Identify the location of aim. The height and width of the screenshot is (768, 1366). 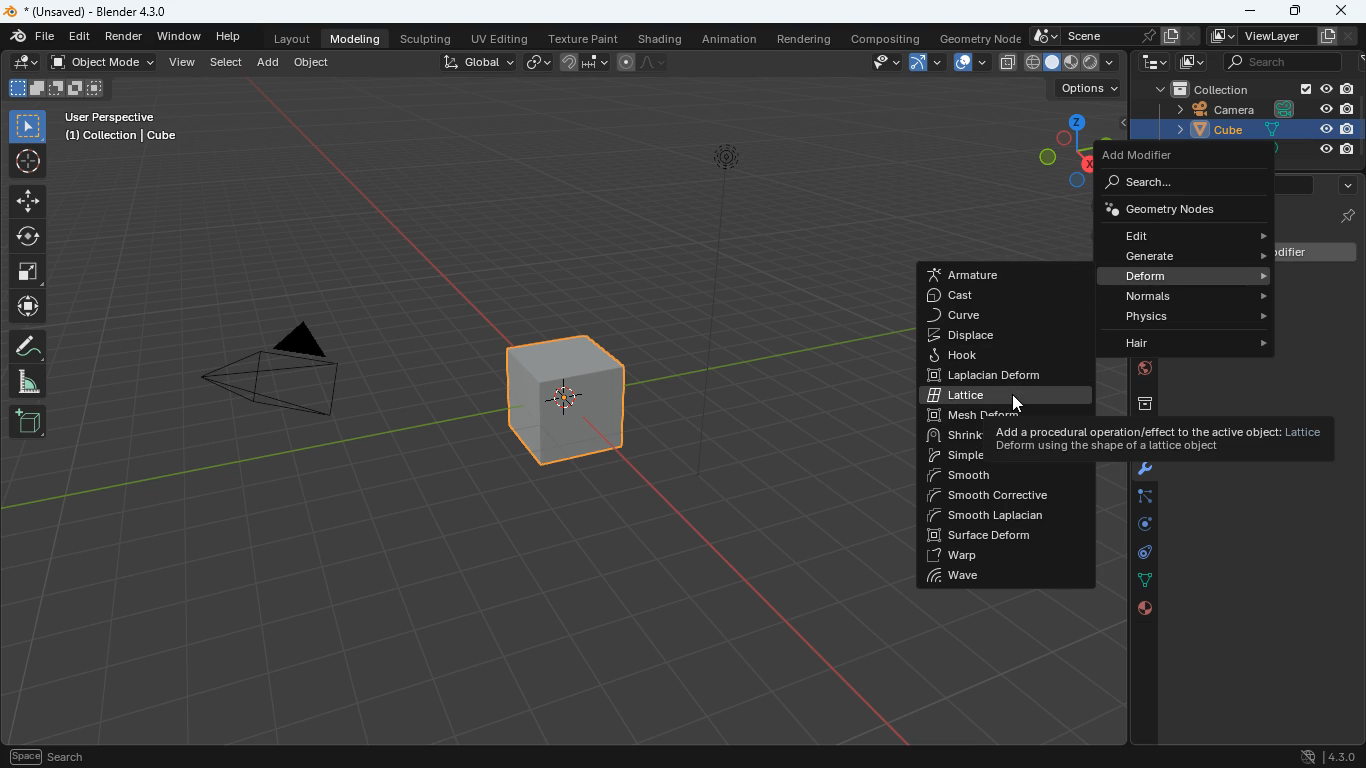
(27, 161).